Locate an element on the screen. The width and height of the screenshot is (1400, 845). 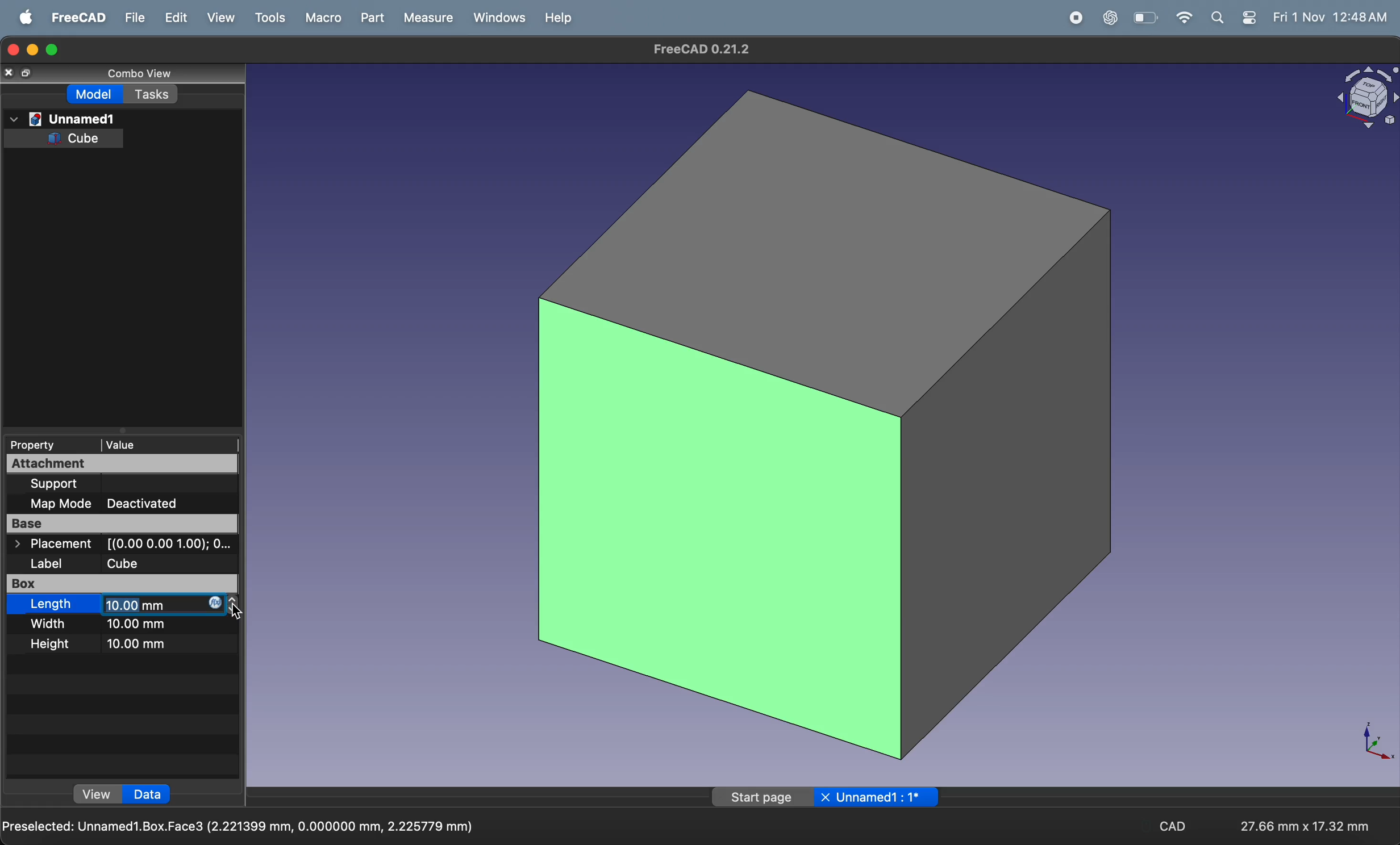
Data is located at coordinates (148, 795).